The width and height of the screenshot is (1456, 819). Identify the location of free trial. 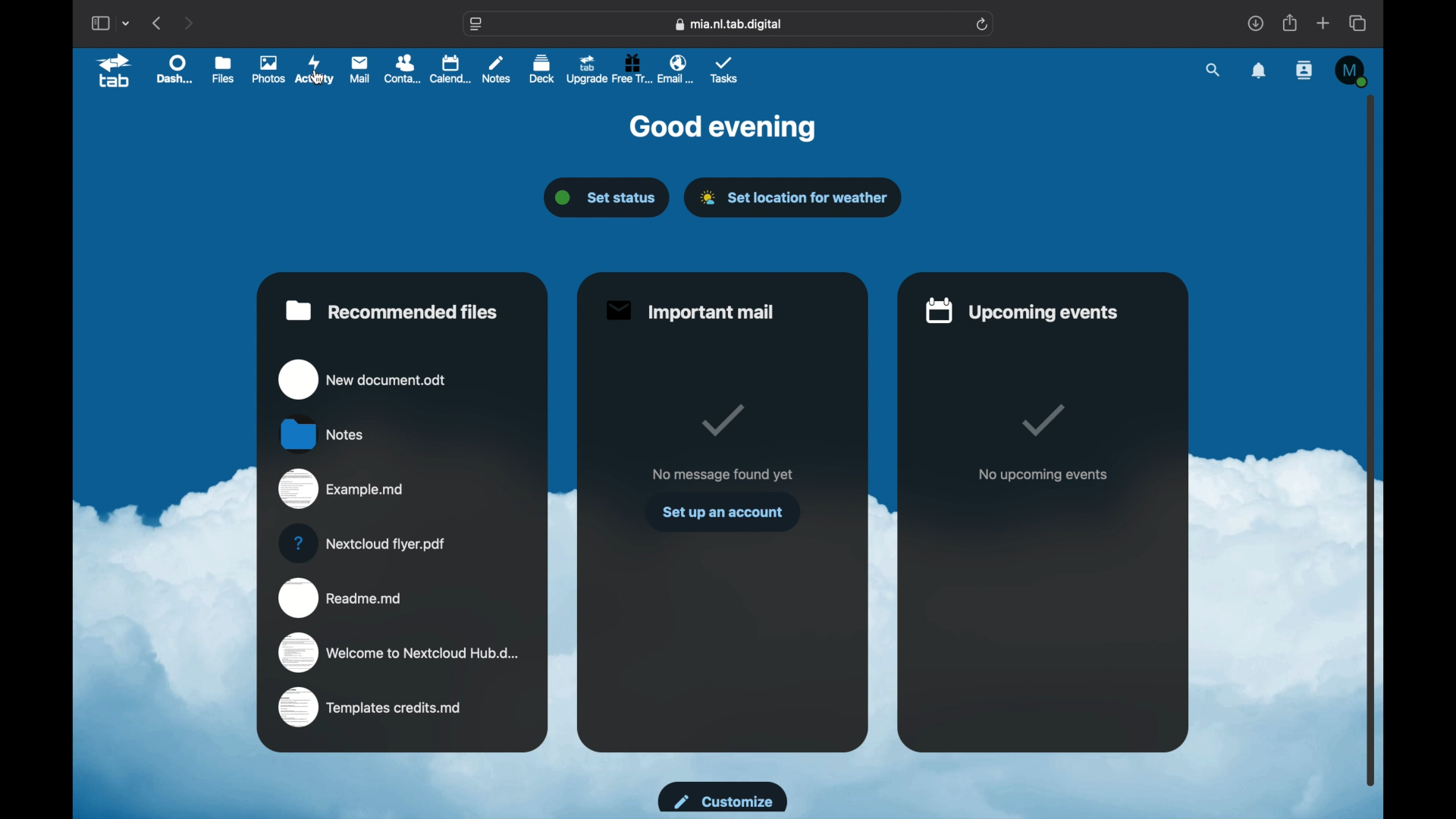
(631, 68).